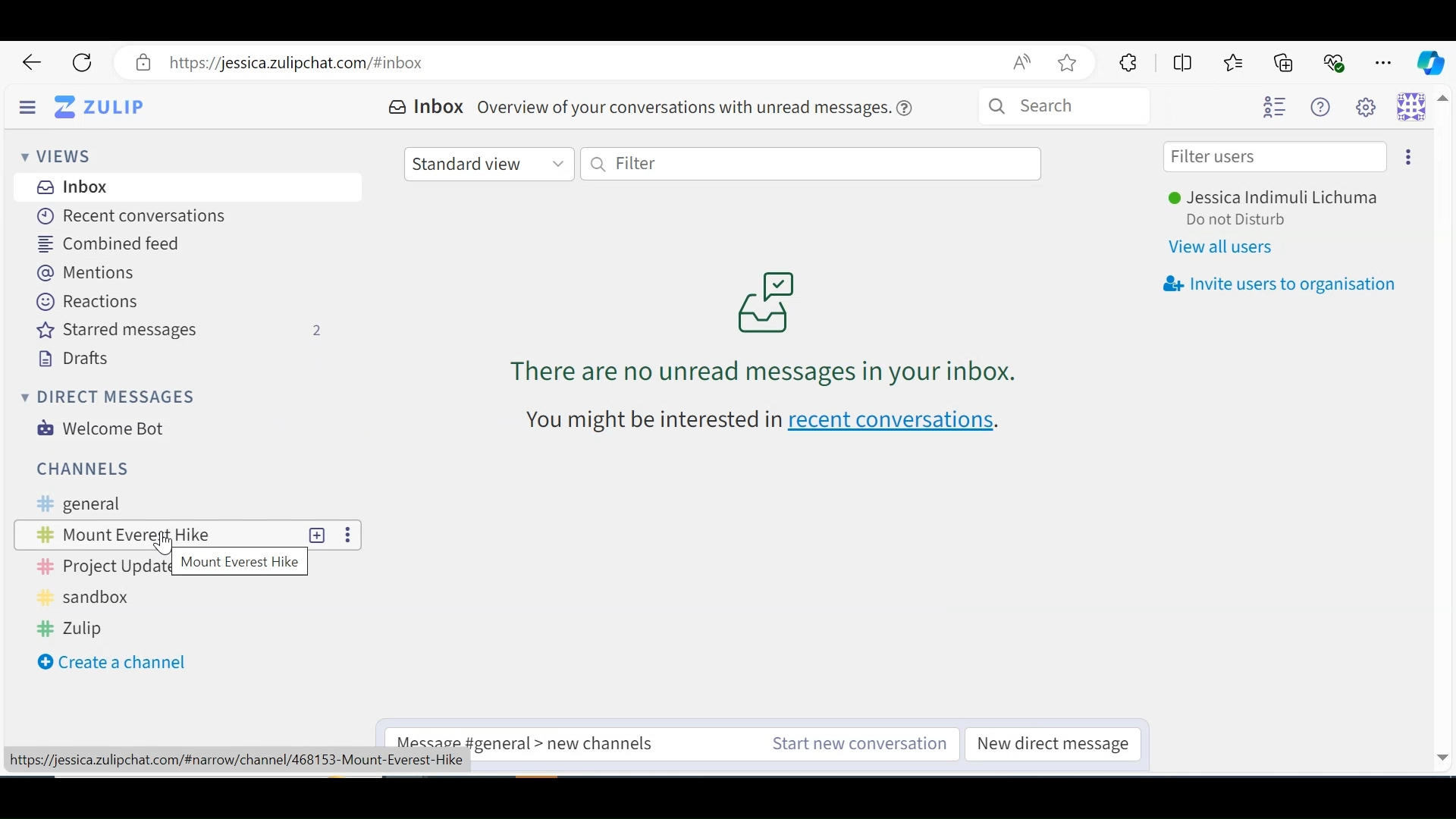 The image size is (1456, 819). Describe the element at coordinates (1090, 108) in the screenshot. I see `Search` at that location.